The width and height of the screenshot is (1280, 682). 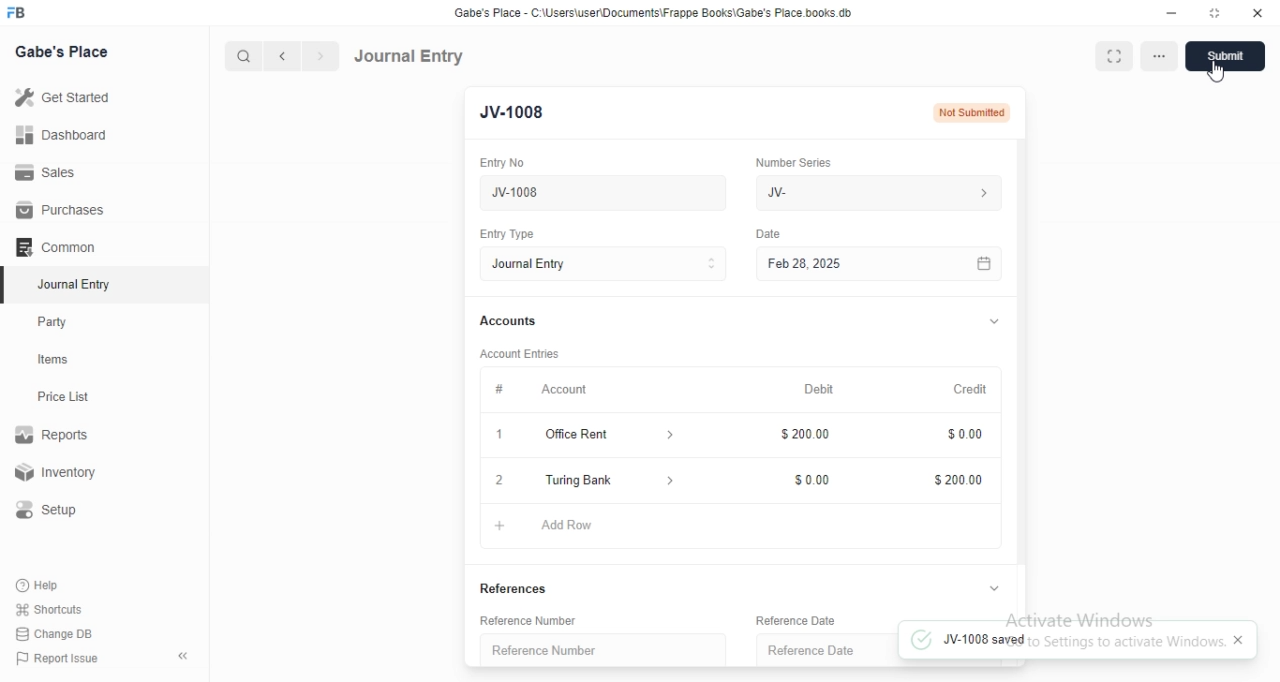 What do you see at coordinates (55, 634) in the screenshot?
I see `‘Change DB` at bounding box center [55, 634].